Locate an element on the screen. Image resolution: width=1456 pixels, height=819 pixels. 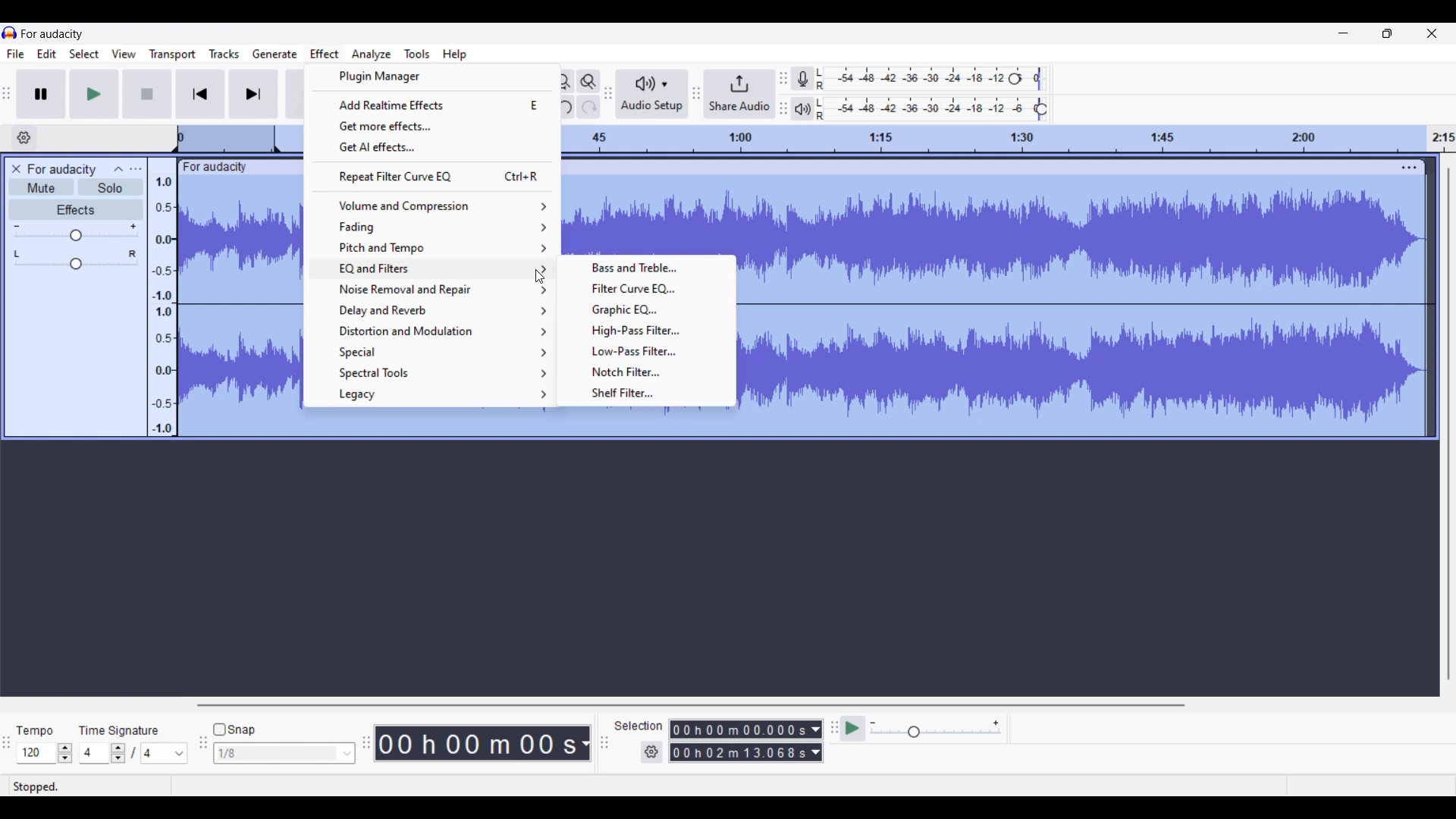
Noise removal and repair option is located at coordinates (435, 290).